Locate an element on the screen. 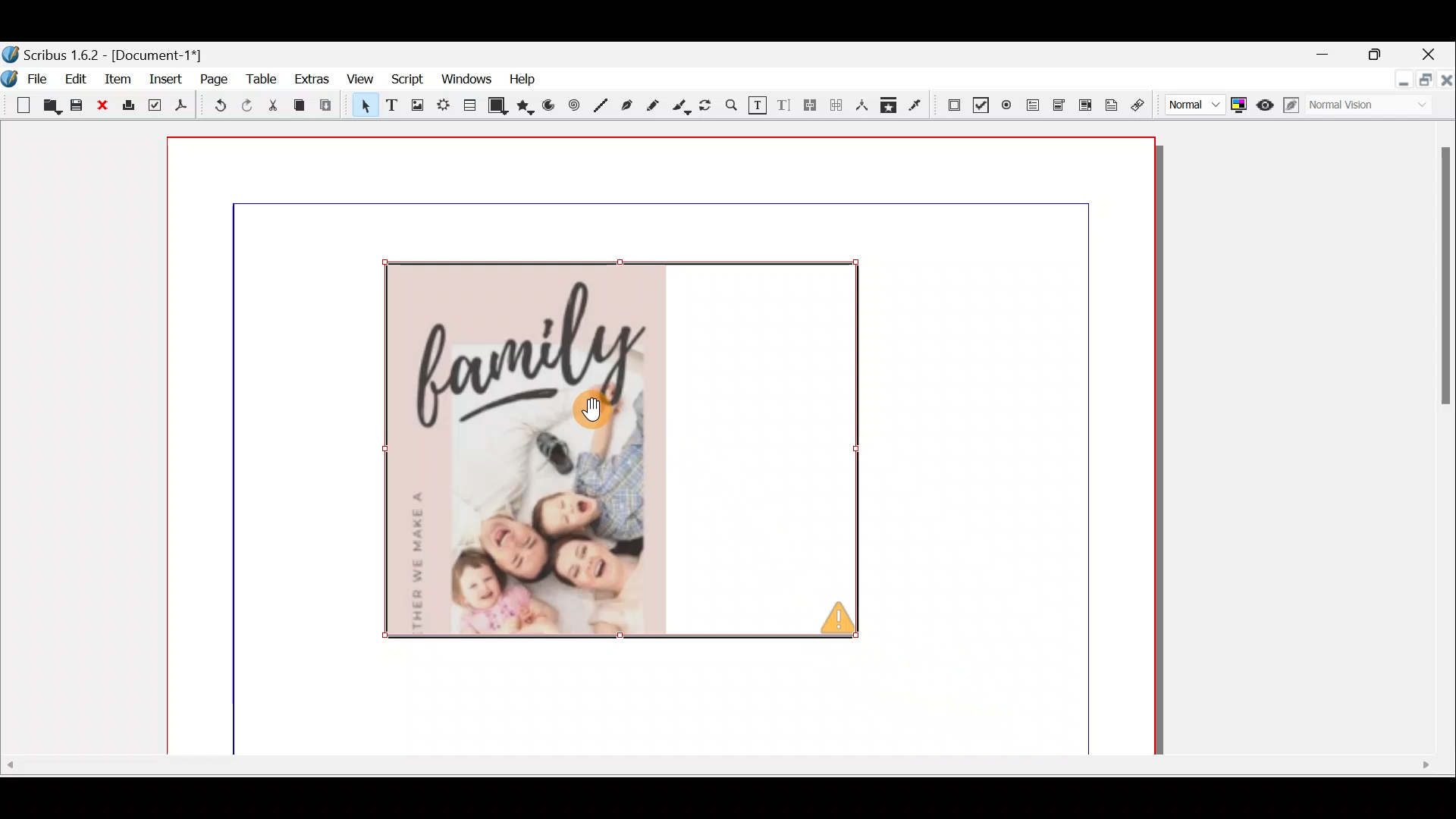 This screenshot has height=819, width=1456. Measurements is located at coordinates (861, 104).